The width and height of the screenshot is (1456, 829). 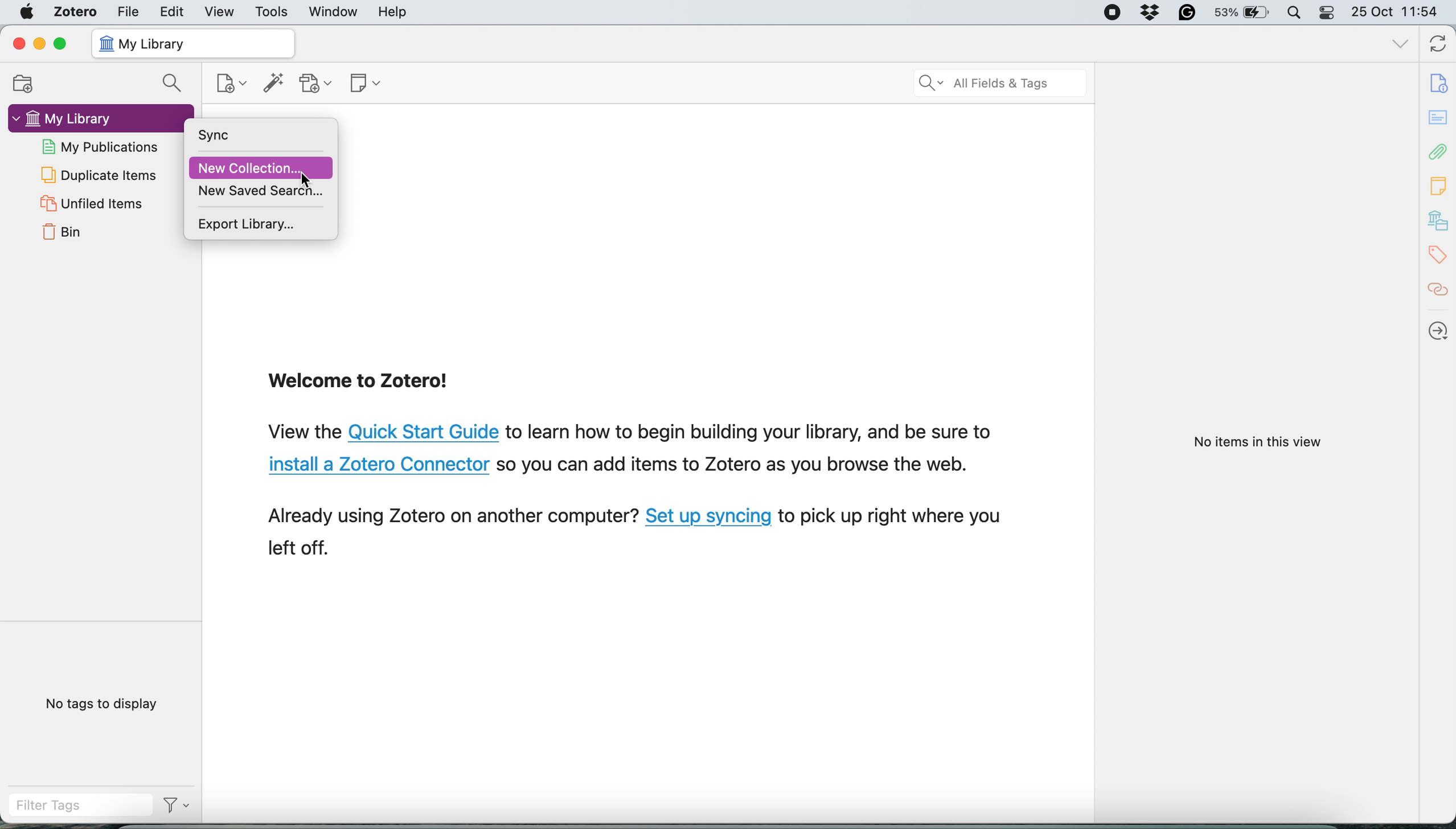 I want to click on locate, so click(x=1439, y=327).